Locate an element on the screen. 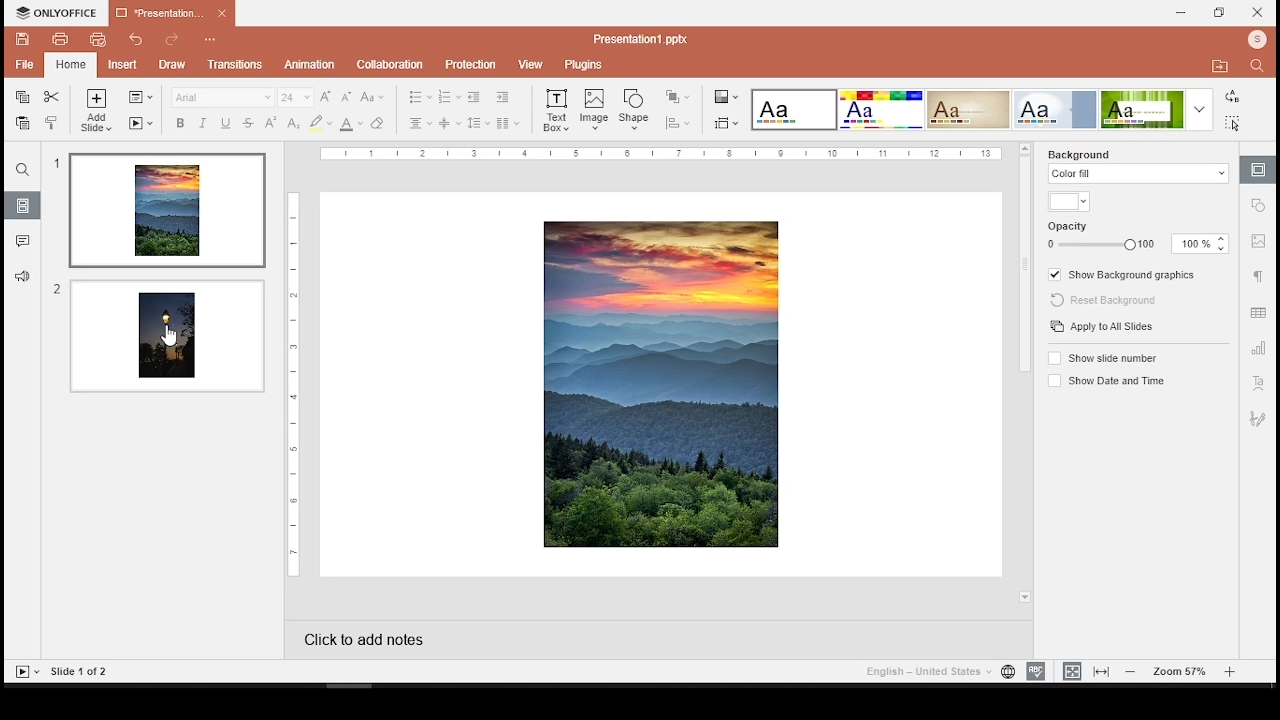 This screenshot has height=720, width=1280. Slide 1 0 2 is located at coordinates (91, 670).